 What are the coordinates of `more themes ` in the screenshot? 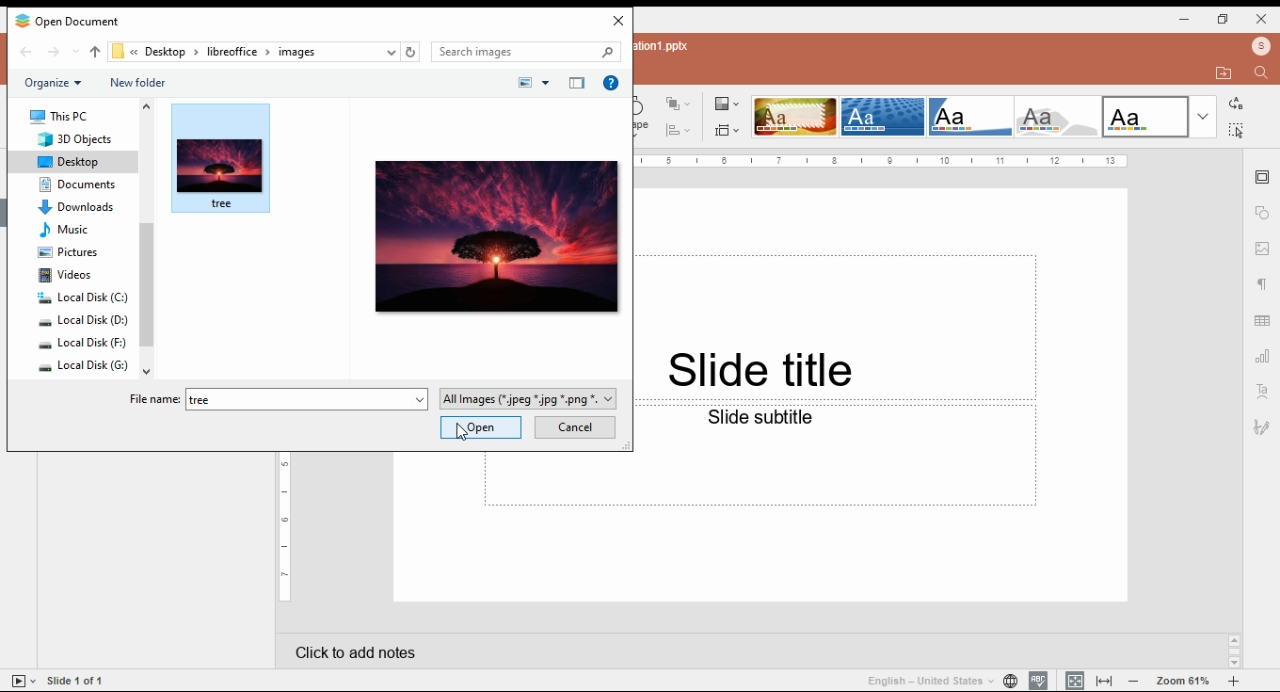 It's located at (1203, 117).